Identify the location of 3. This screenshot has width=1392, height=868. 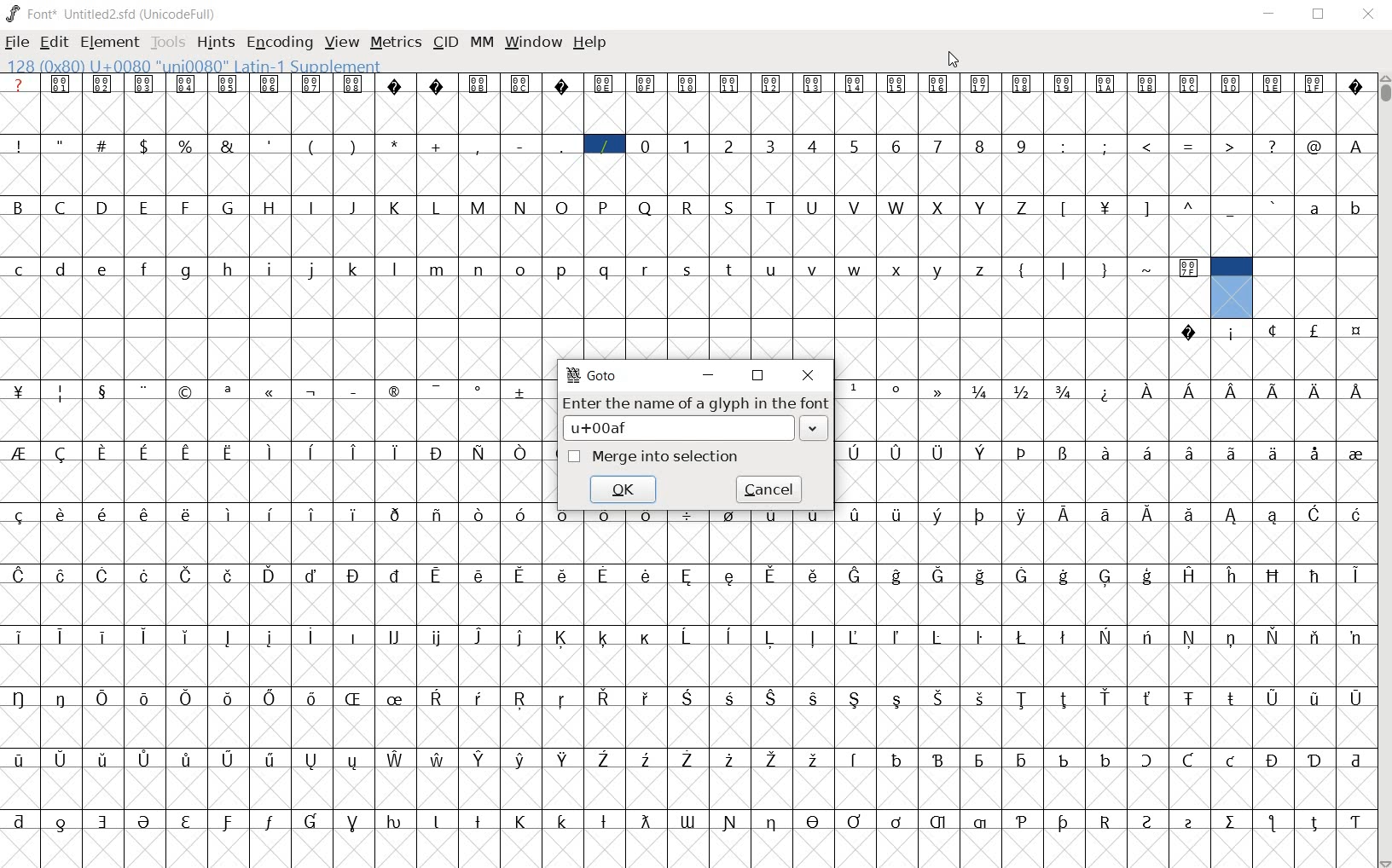
(772, 146).